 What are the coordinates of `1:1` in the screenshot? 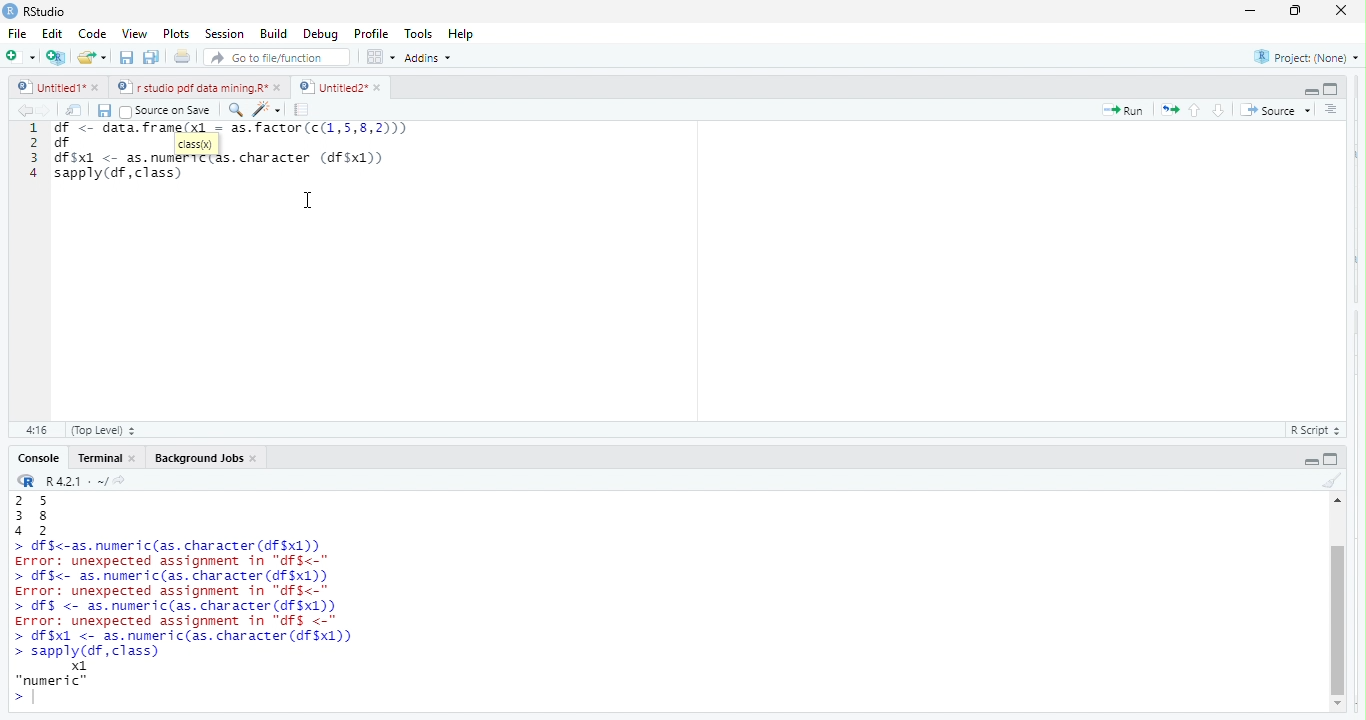 It's located at (37, 430).